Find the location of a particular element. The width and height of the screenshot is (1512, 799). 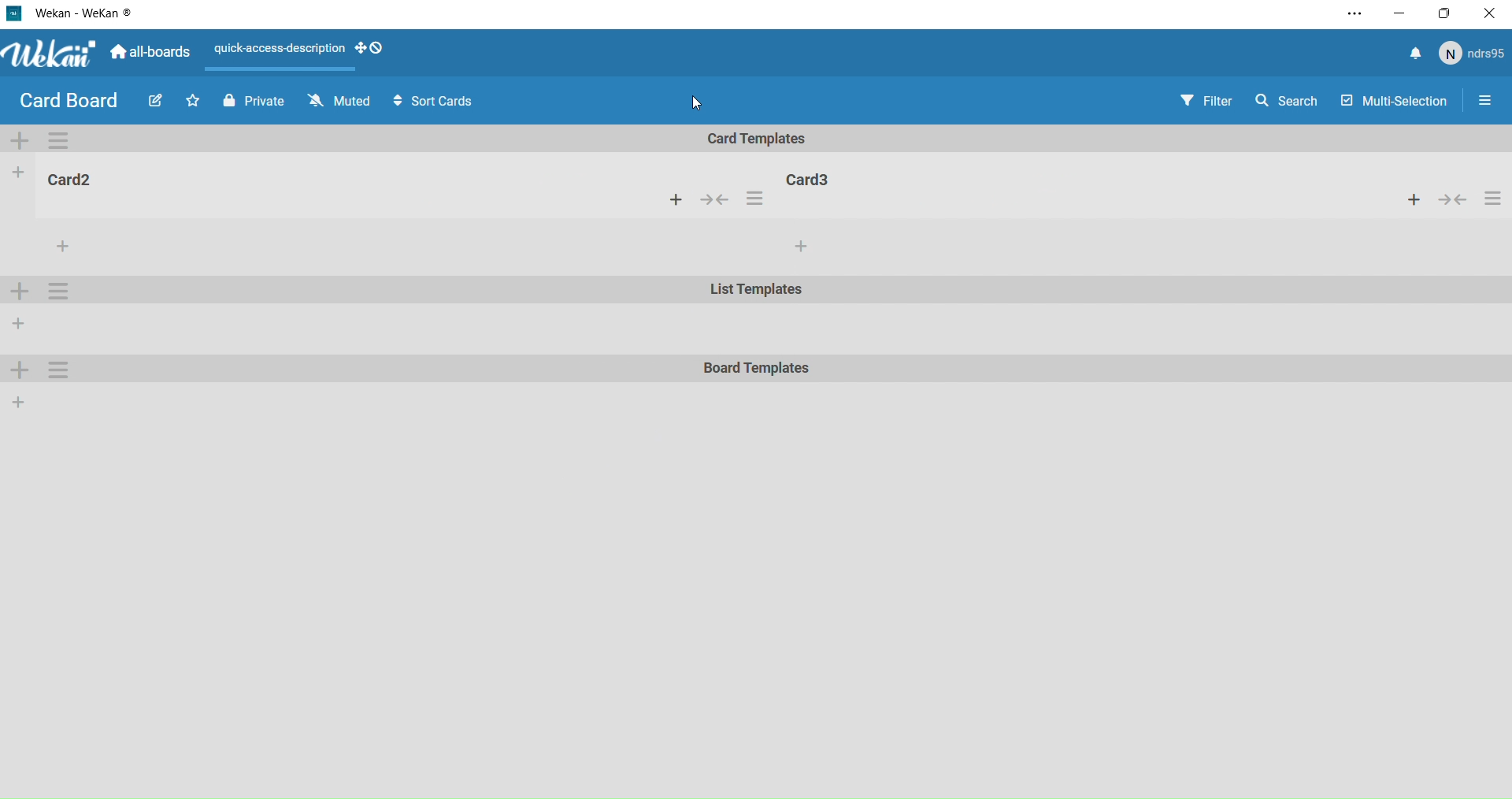

Actions is located at coordinates (279, 50).